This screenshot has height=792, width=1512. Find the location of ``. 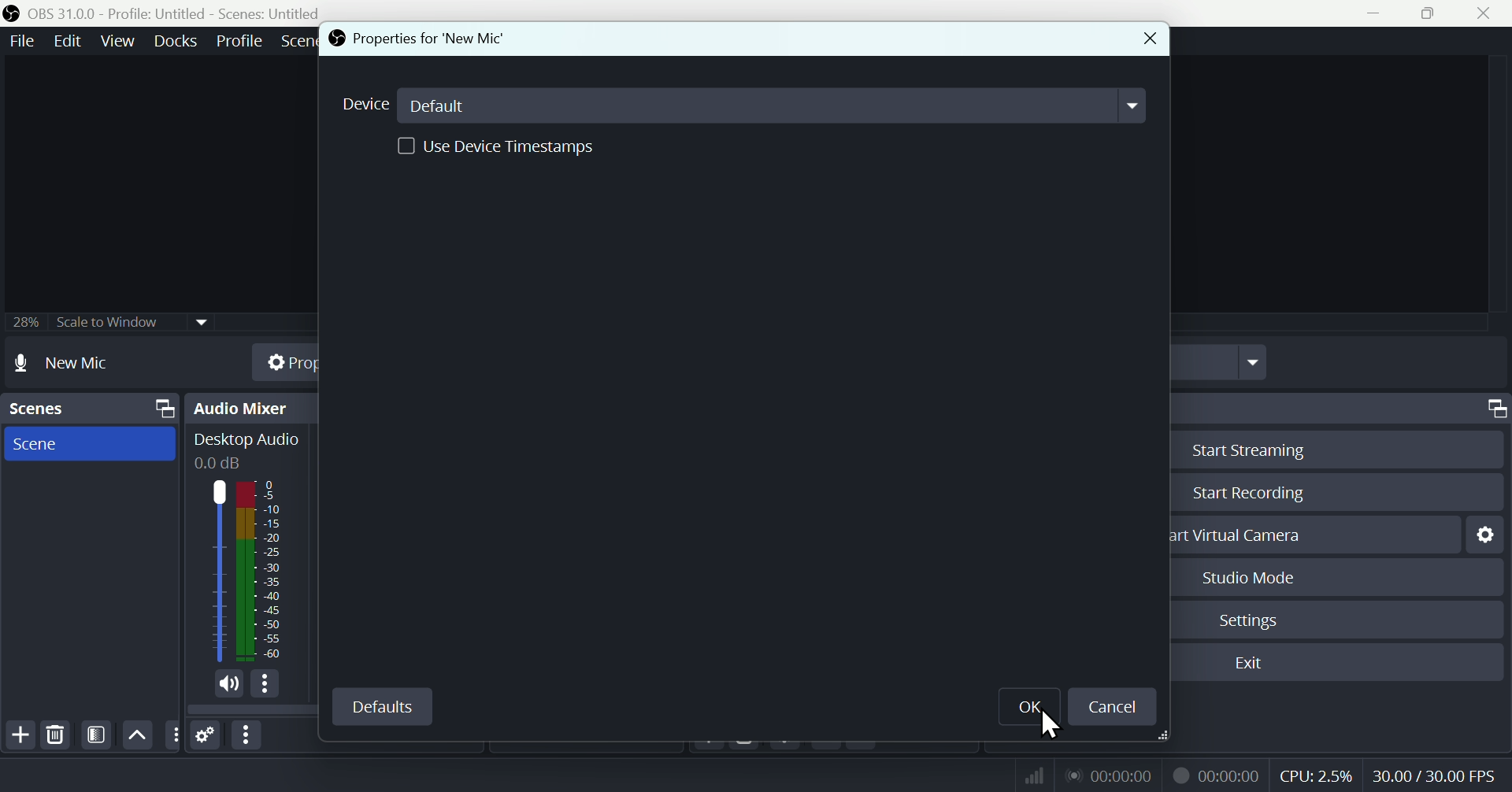

 is located at coordinates (1260, 449).